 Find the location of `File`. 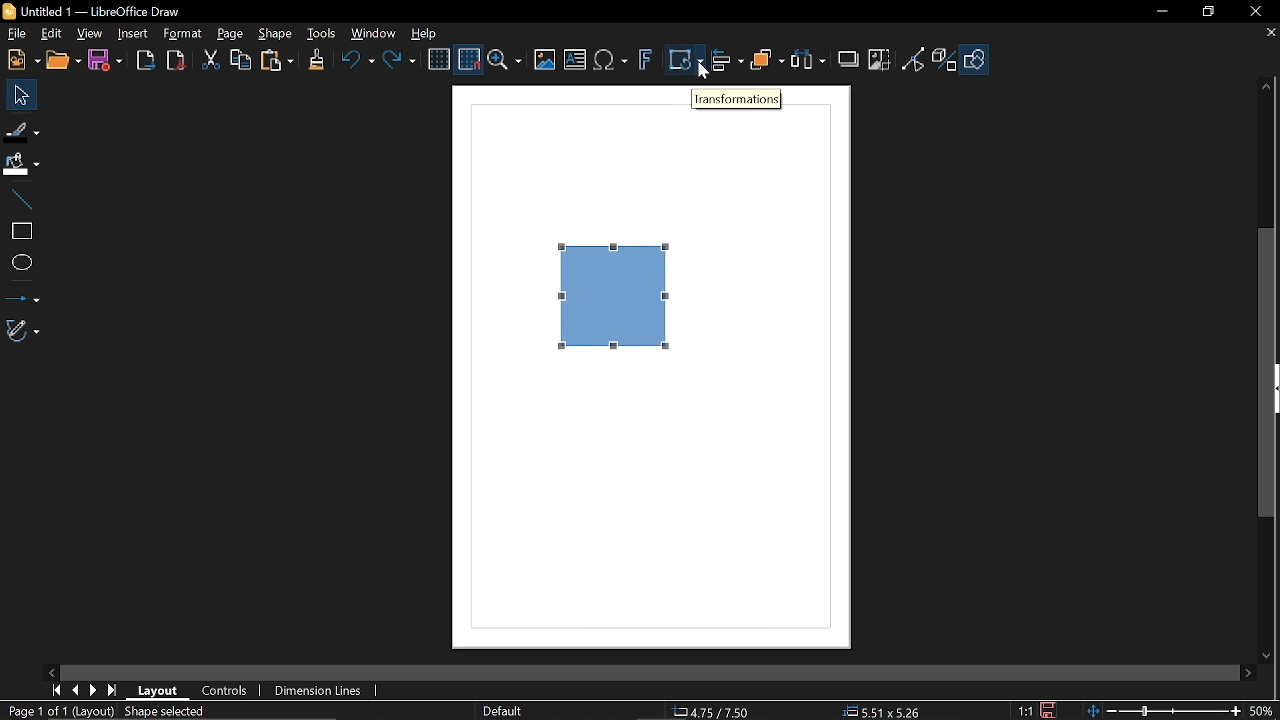

File is located at coordinates (15, 35).